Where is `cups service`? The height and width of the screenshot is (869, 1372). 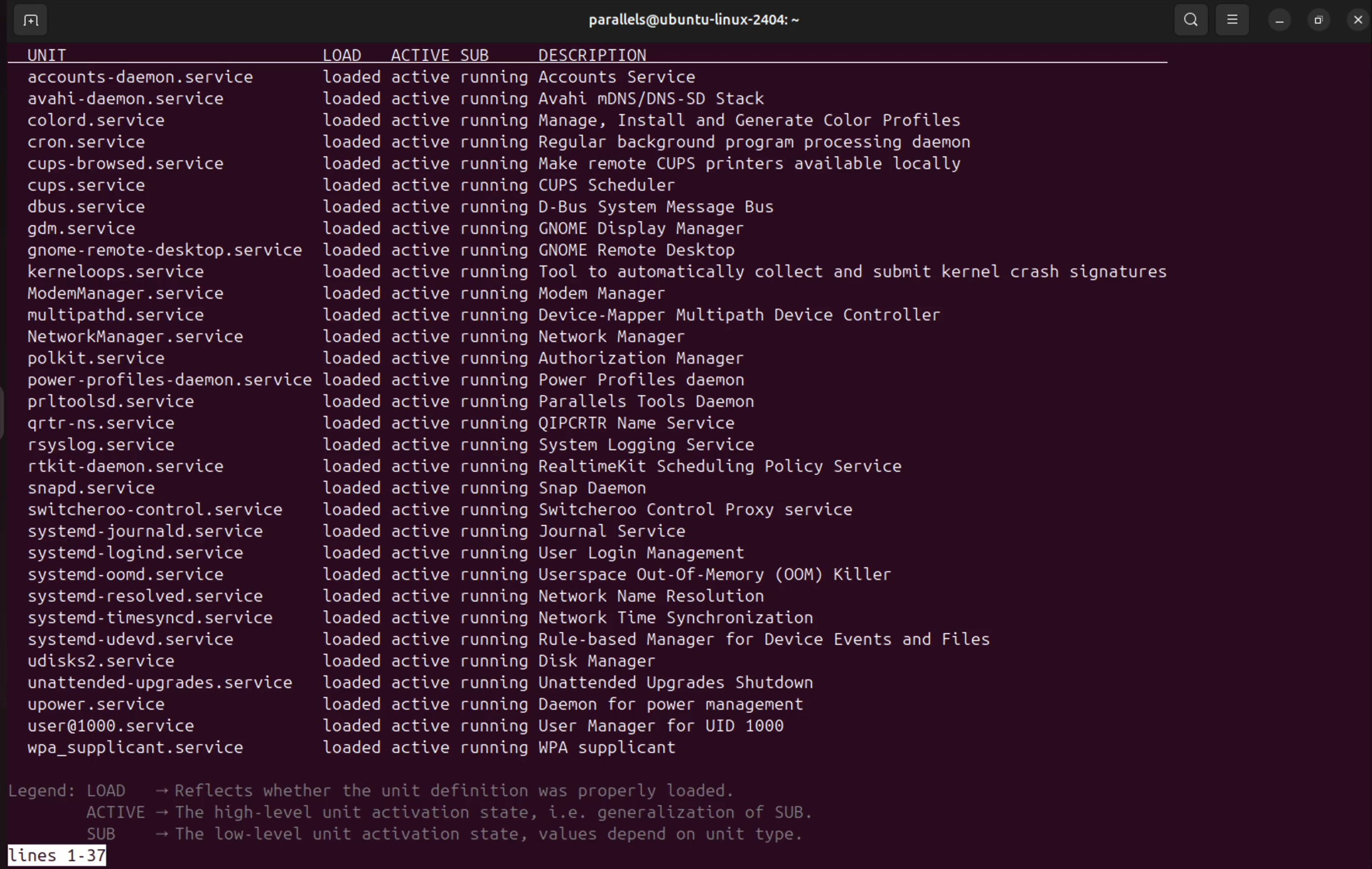 cups service is located at coordinates (95, 186).